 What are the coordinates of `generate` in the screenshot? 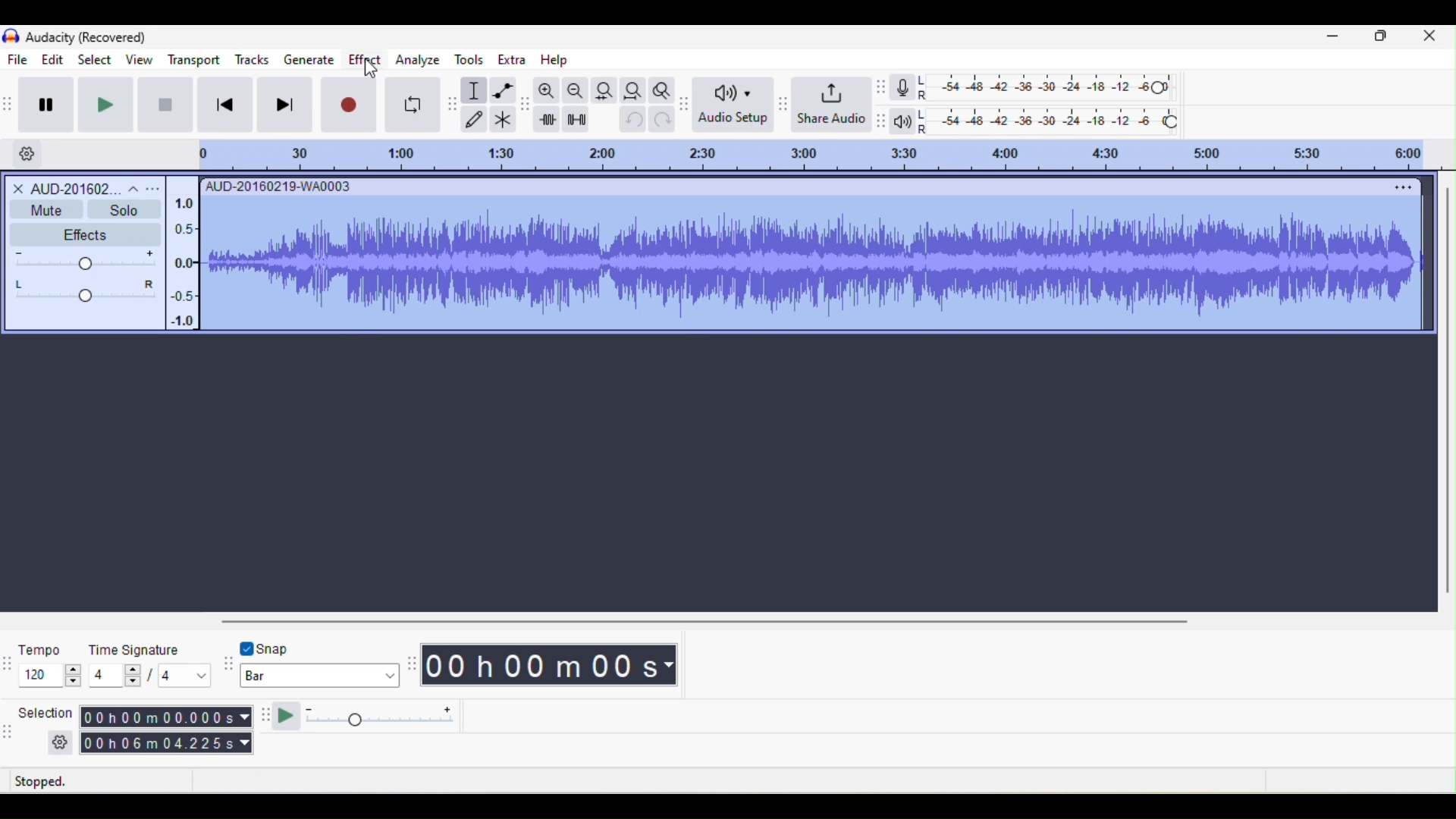 It's located at (312, 58).